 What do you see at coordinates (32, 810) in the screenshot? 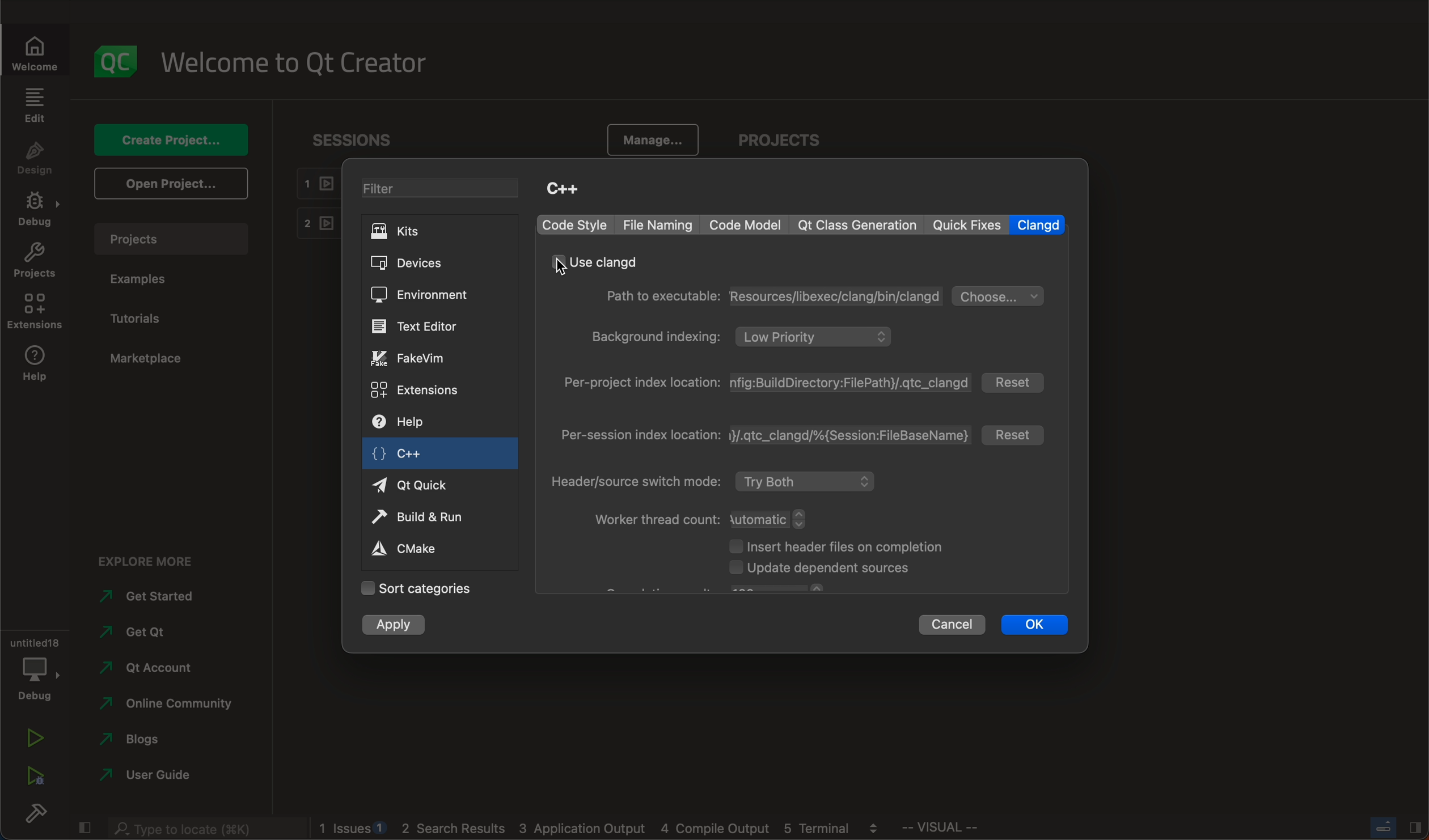
I see `build` at bounding box center [32, 810].